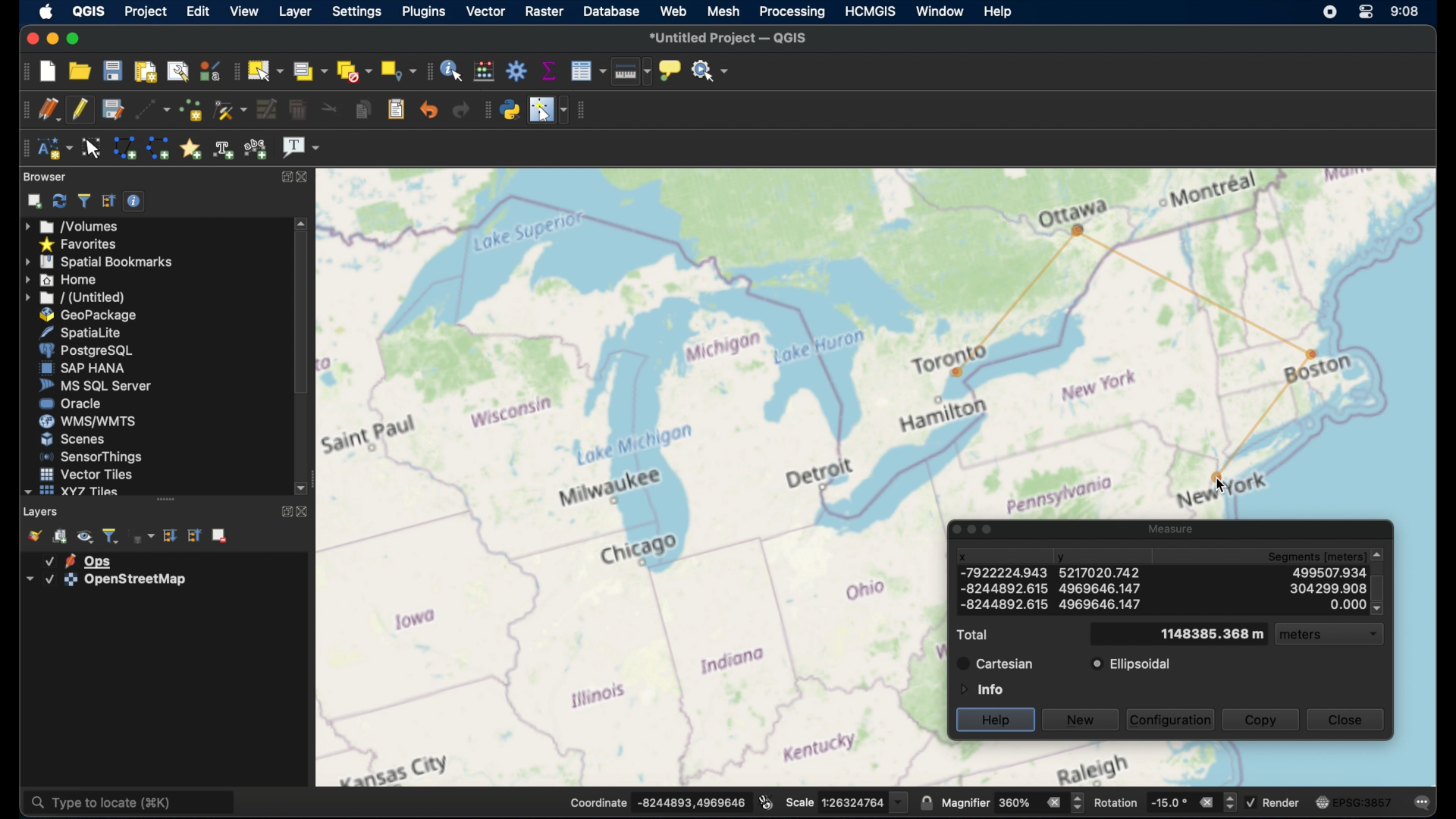  I want to click on selection toolbar, so click(237, 70).